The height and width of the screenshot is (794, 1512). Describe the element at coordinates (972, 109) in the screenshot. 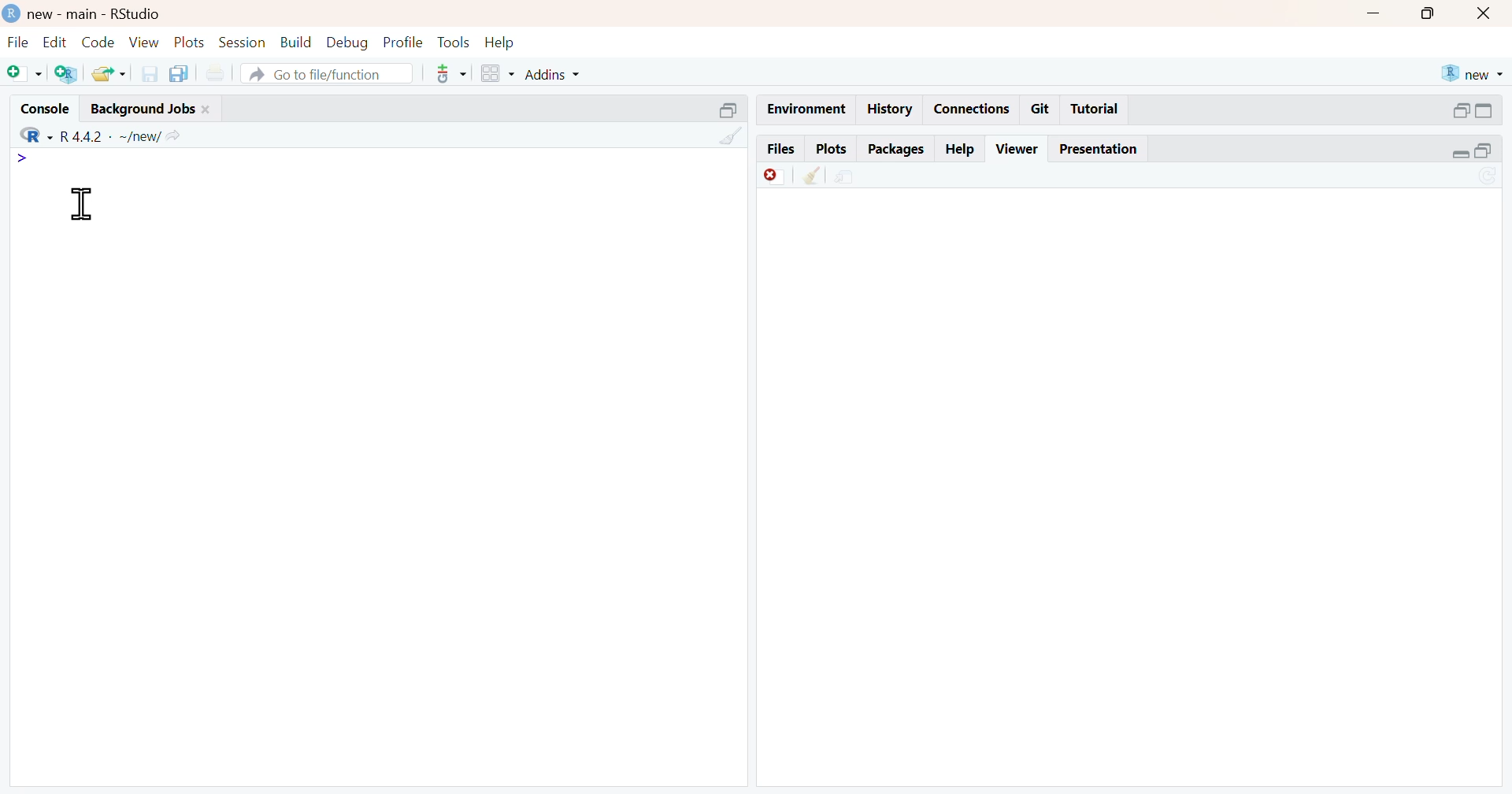

I see `connections` at that location.